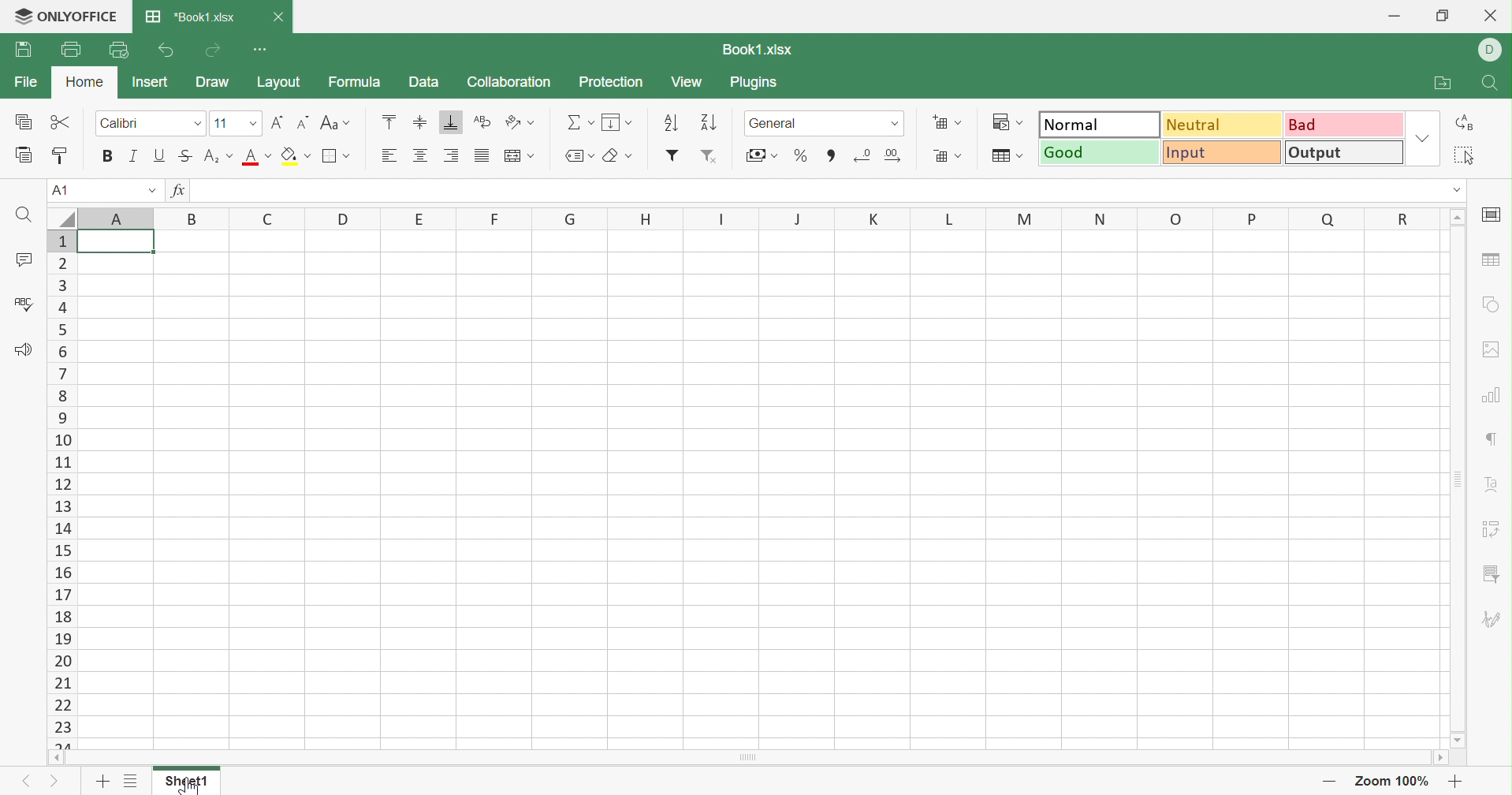 Image resolution: width=1512 pixels, height=795 pixels. I want to click on Superscript/Subscript, so click(214, 154).